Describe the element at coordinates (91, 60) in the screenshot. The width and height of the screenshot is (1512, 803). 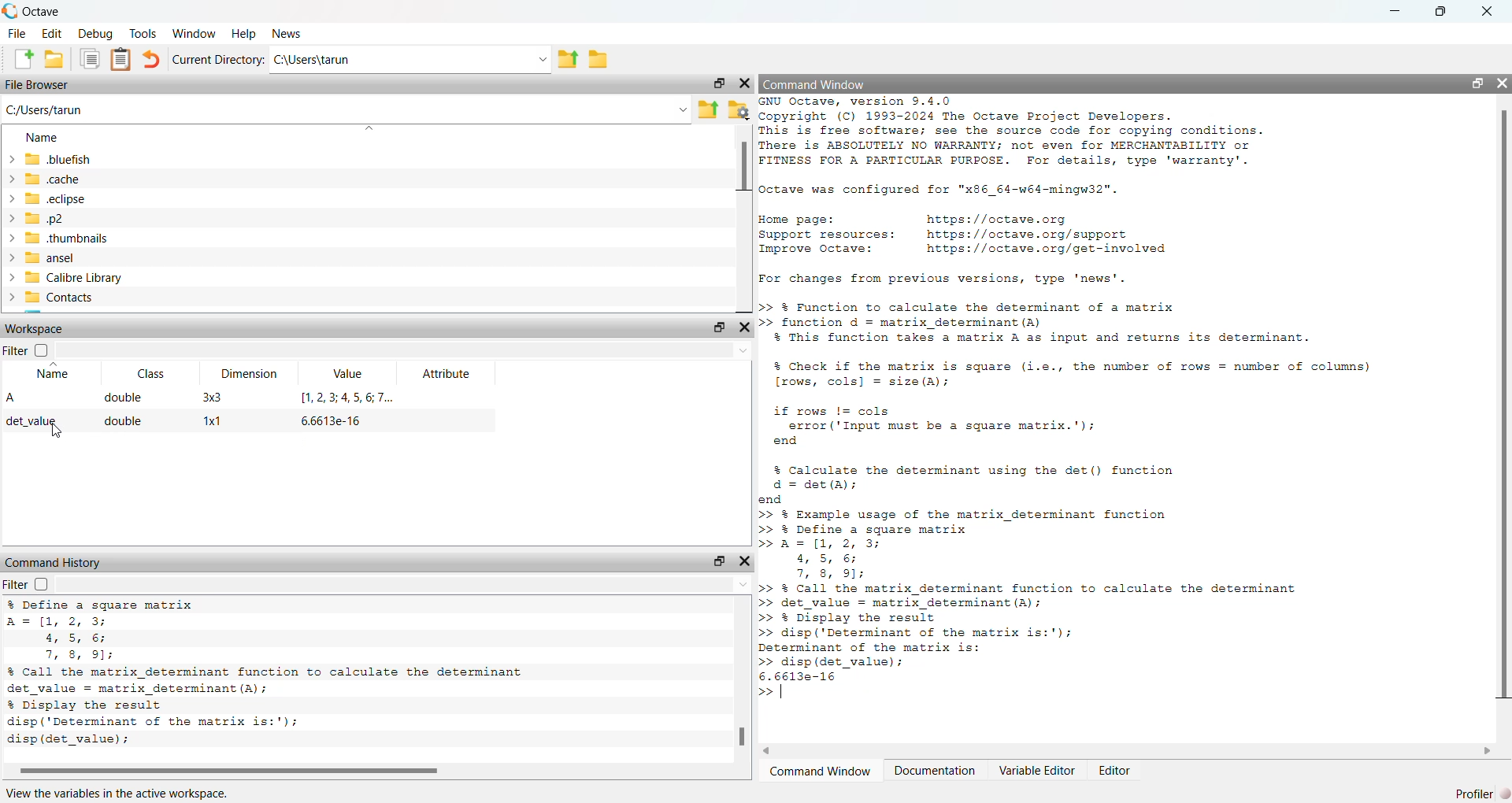
I see `copy` at that location.